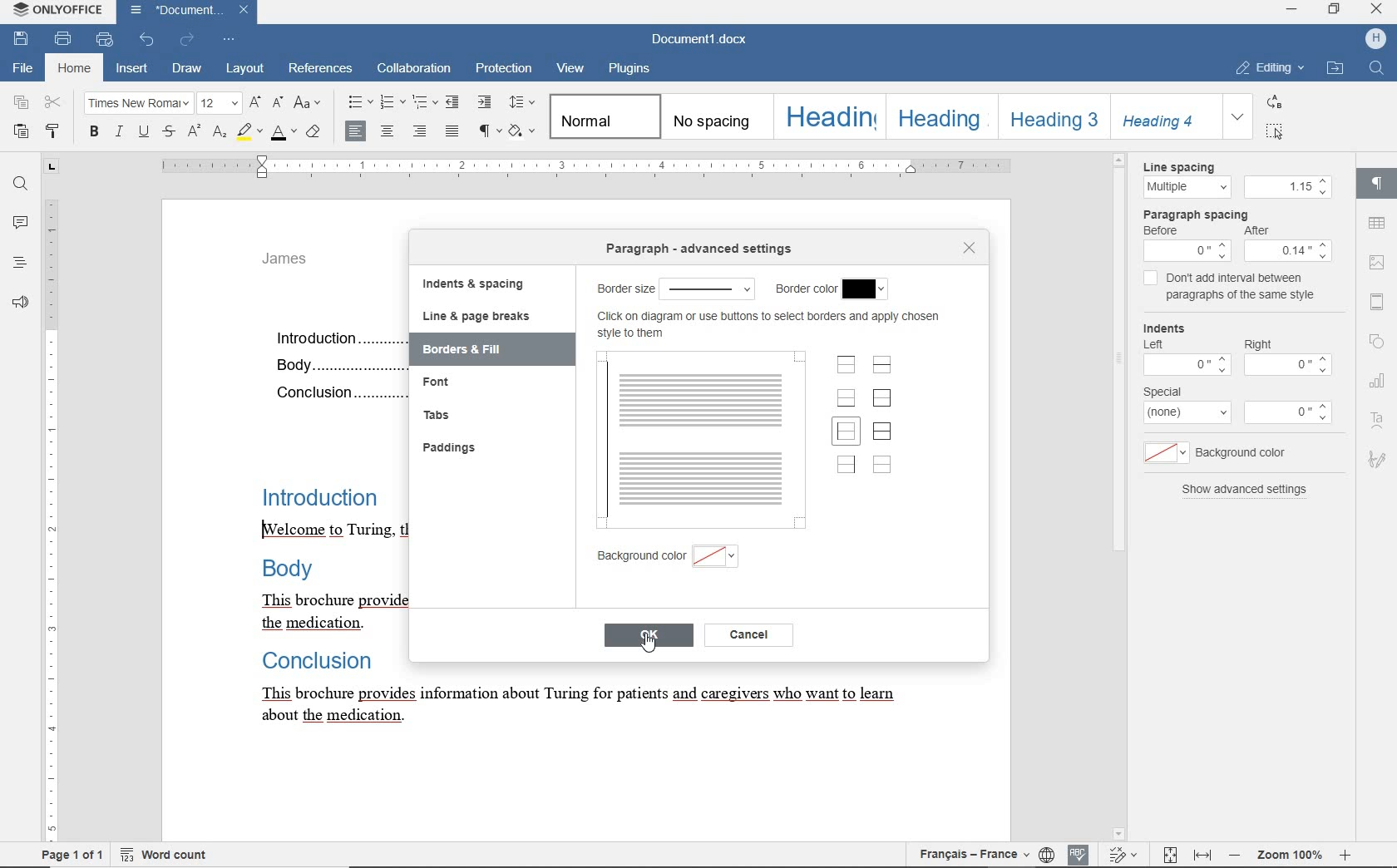 The width and height of the screenshot is (1397, 868). I want to click on paragraph - advanced settings, so click(704, 250).